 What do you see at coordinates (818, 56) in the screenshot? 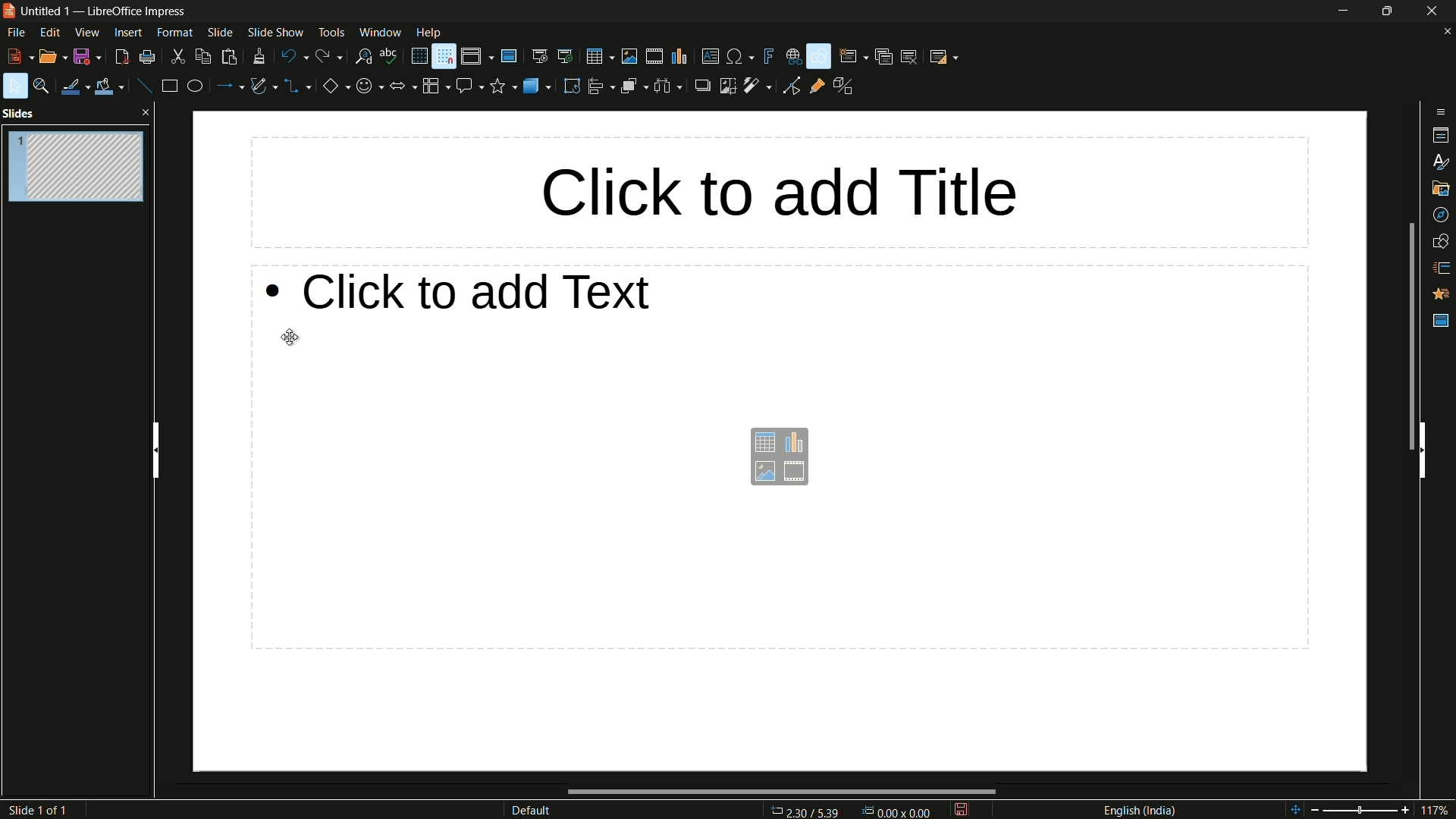
I see `show draw functions` at bounding box center [818, 56].